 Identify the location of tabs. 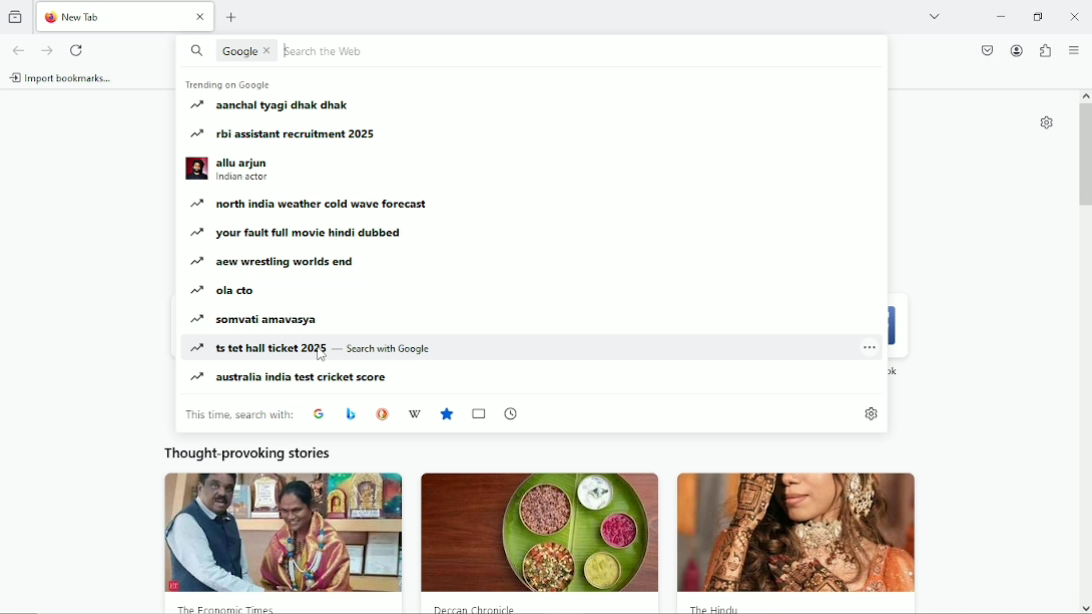
(480, 413).